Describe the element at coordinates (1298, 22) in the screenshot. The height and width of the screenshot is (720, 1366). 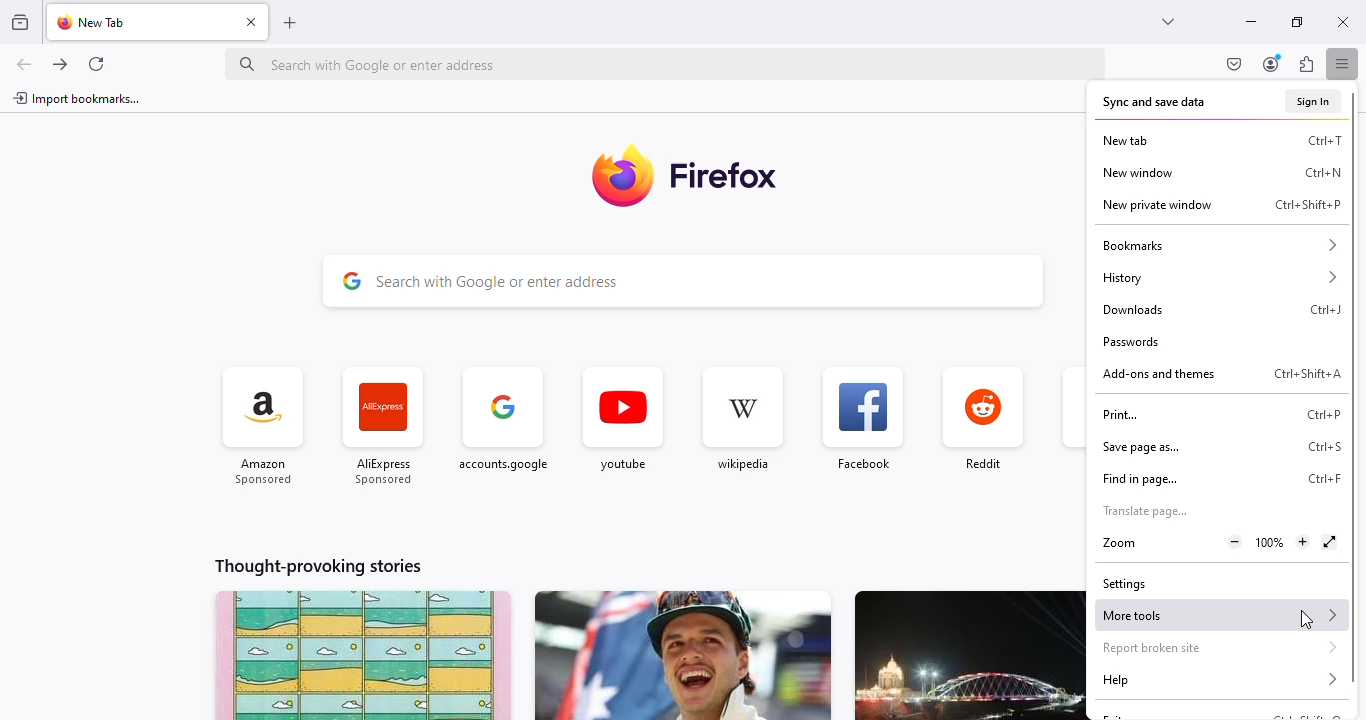
I see `maximize` at that location.